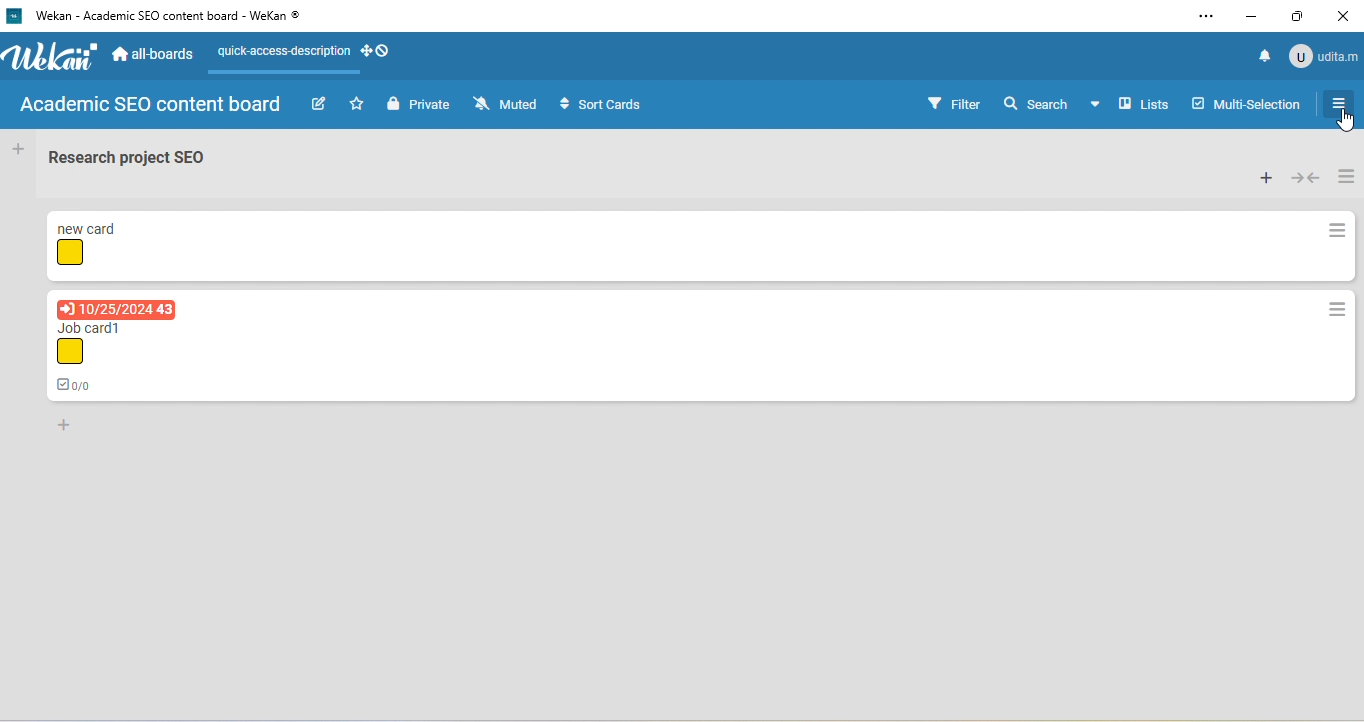 This screenshot has width=1364, height=722. Describe the element at coordinates (72, 428) in the screenshot. I see `add card to bottom ` at that location.